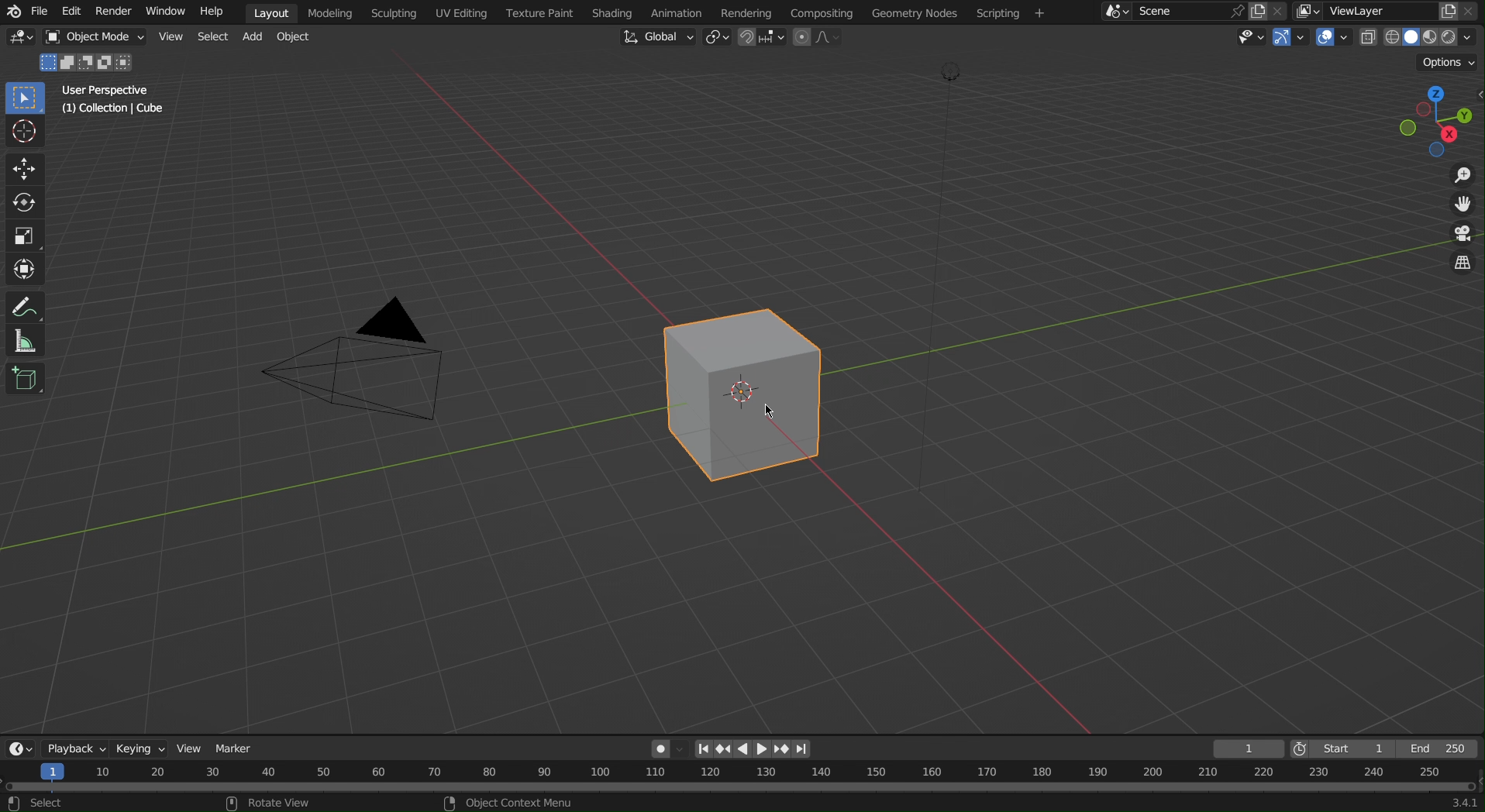  Describe the element at coordinates (40, 14) in the screenshot. I see `File` at that location.